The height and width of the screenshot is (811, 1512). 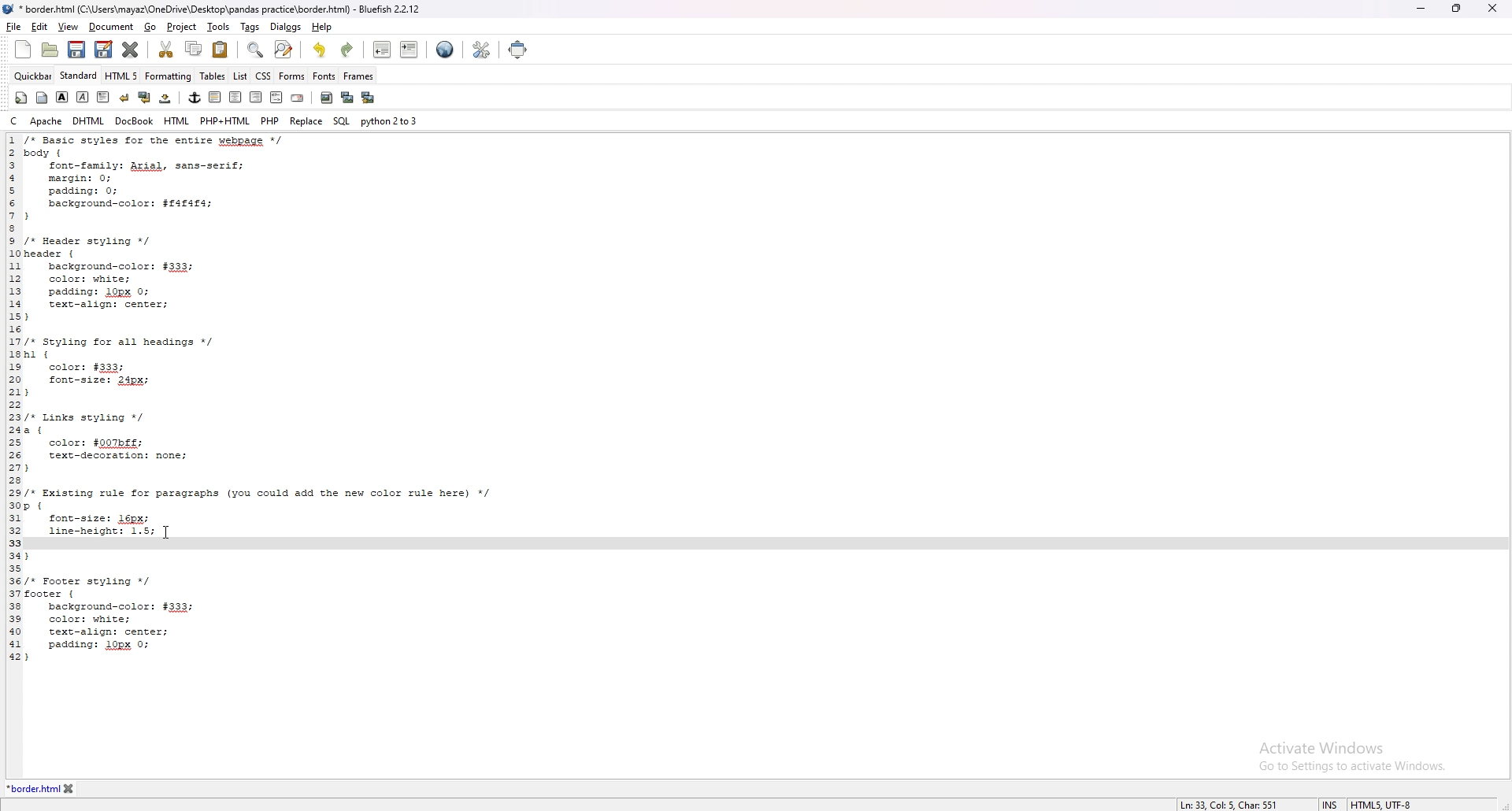 What do you see at coordinates (166, 532) in the screenshot?
I see `Cursor` at bounding box center [166, 532].